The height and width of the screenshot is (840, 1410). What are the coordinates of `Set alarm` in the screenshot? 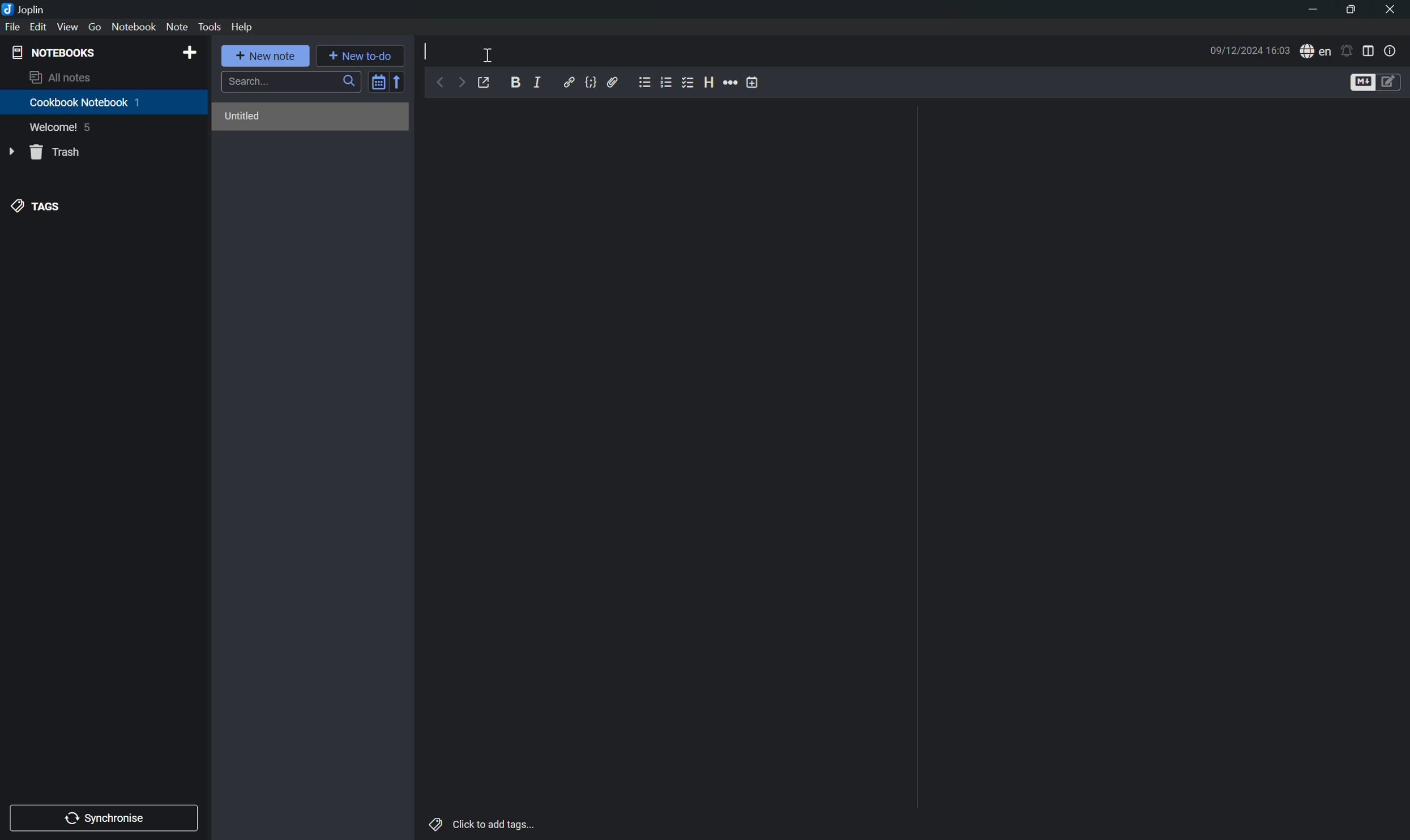 It's located at (1349, 50).